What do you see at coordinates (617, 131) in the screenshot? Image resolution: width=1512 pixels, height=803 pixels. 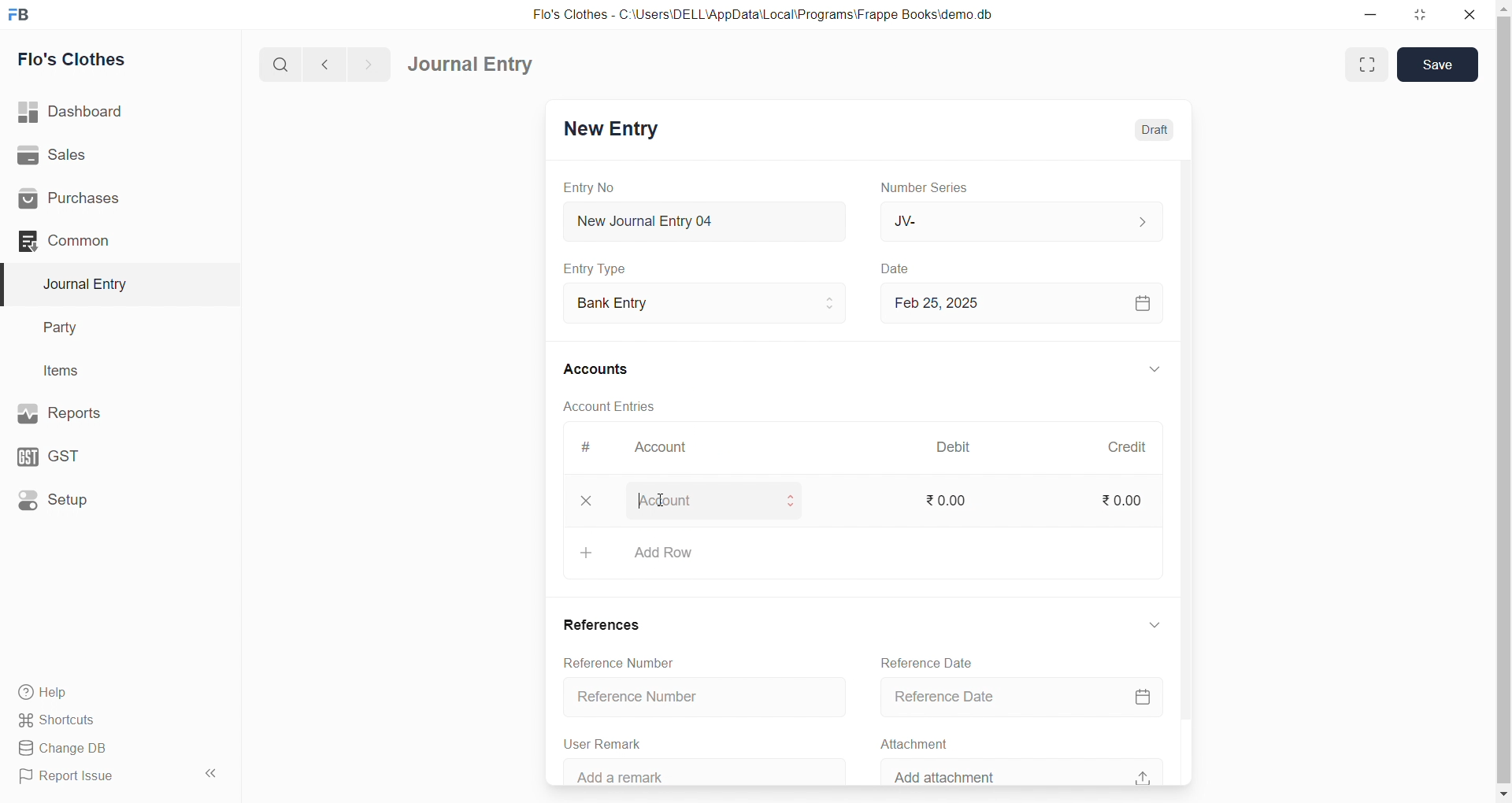 I see `New Entry` at bounding box center [617, 131].